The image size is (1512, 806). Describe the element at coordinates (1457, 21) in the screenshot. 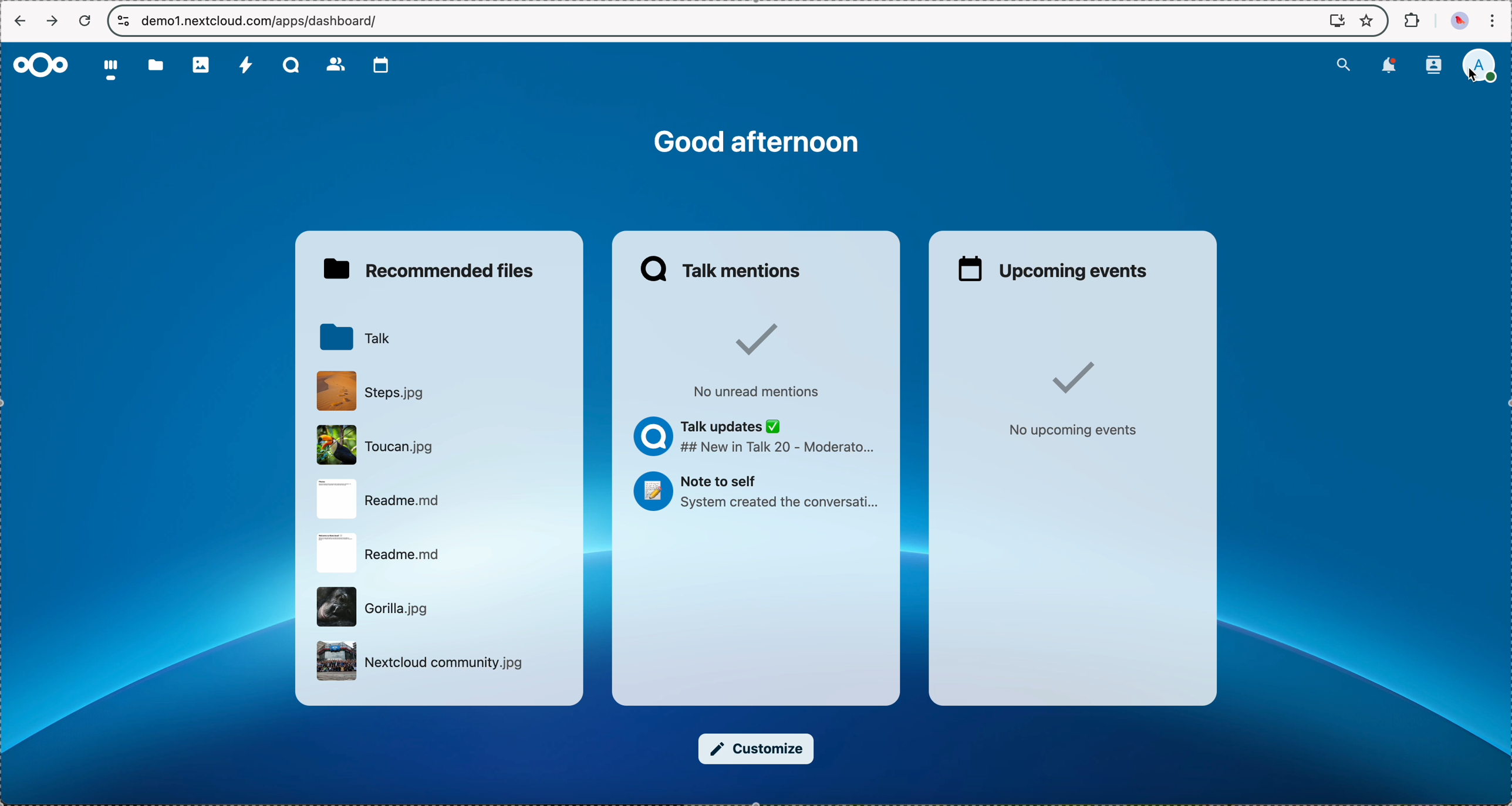

I see `profile picture` at that location.